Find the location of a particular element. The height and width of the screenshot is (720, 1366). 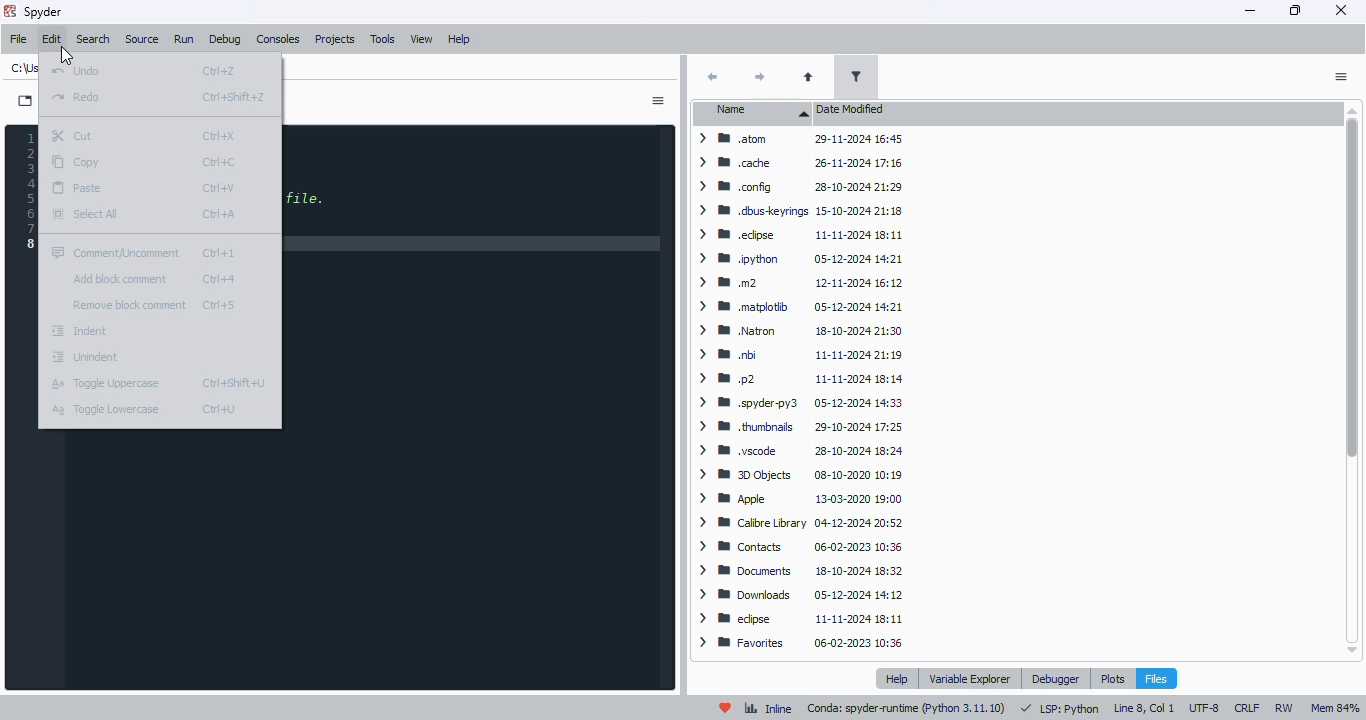

> BB thumbnails 29-10-2024 17:25 is located at coordinates (800, 427).